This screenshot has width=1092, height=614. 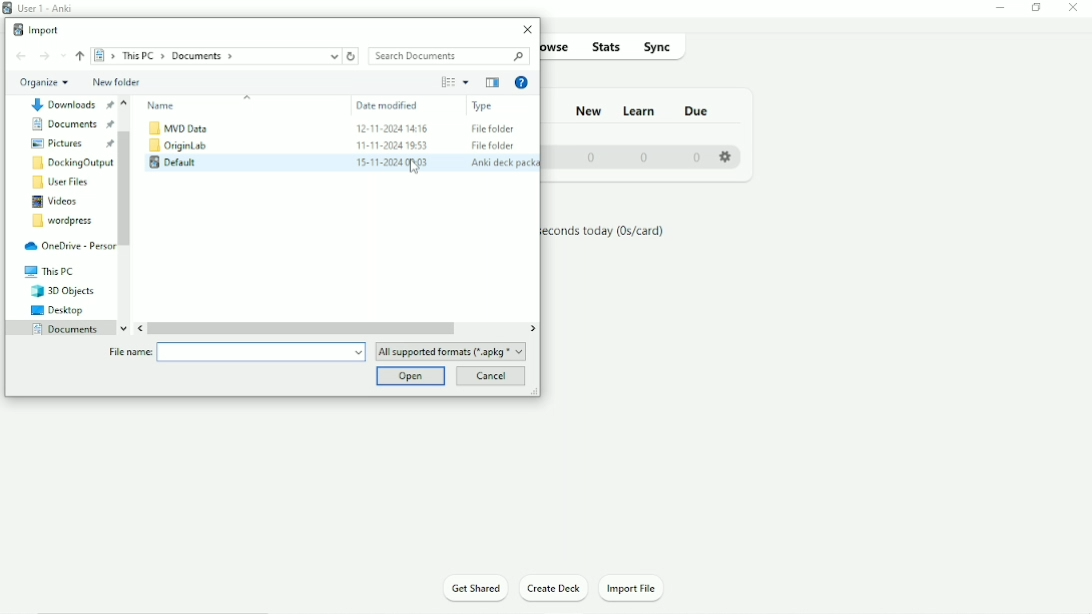 What do you see at coordinates (58, 310) in the screenshot?
I see `Desktop` at bounding box center [58, 310].